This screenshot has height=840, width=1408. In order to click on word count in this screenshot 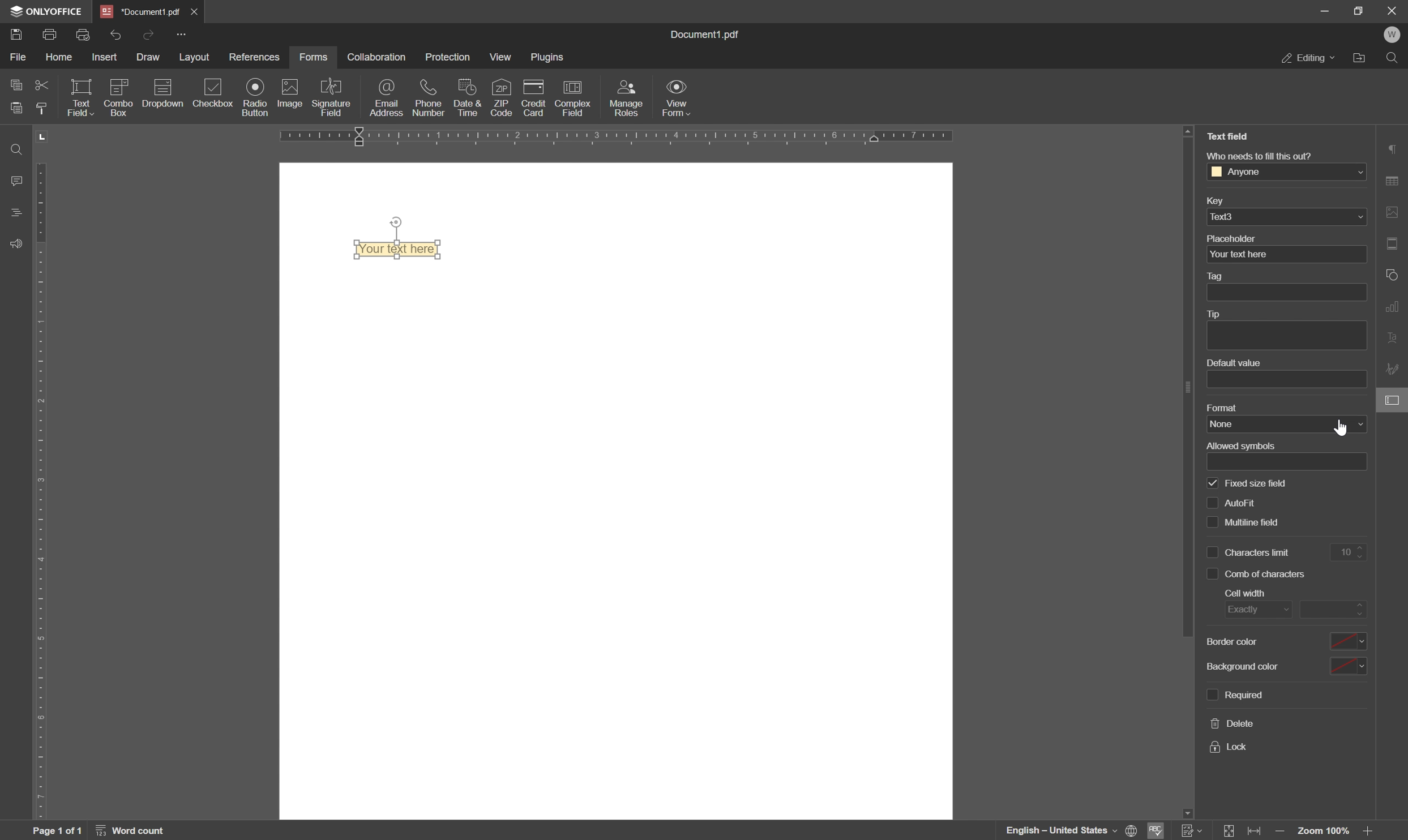, I will do `click(134, 830)`.